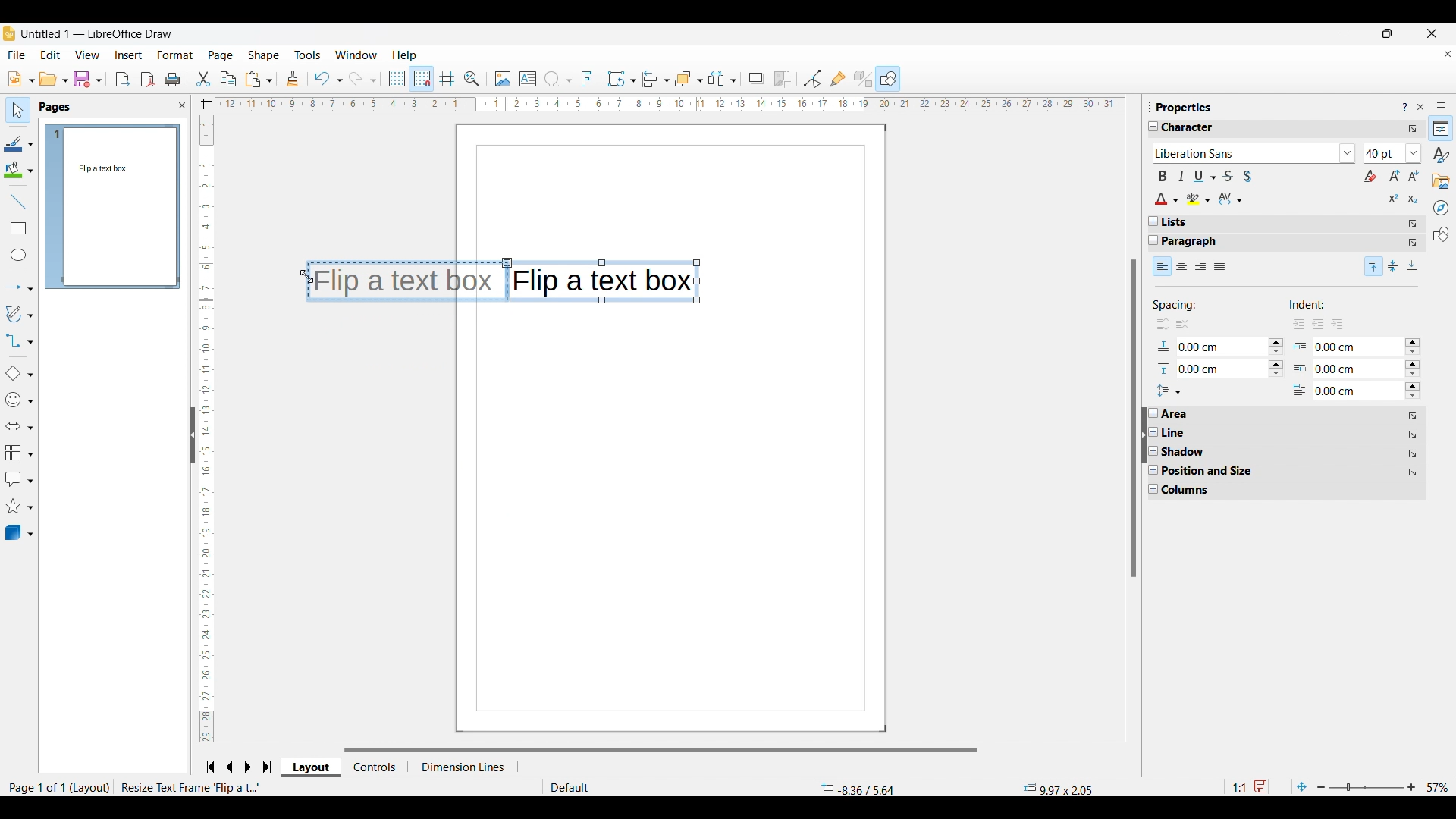 This screenshot has height=819, width=1456. I want to click on resize text frame 'flip a t...', so click(192, 787).